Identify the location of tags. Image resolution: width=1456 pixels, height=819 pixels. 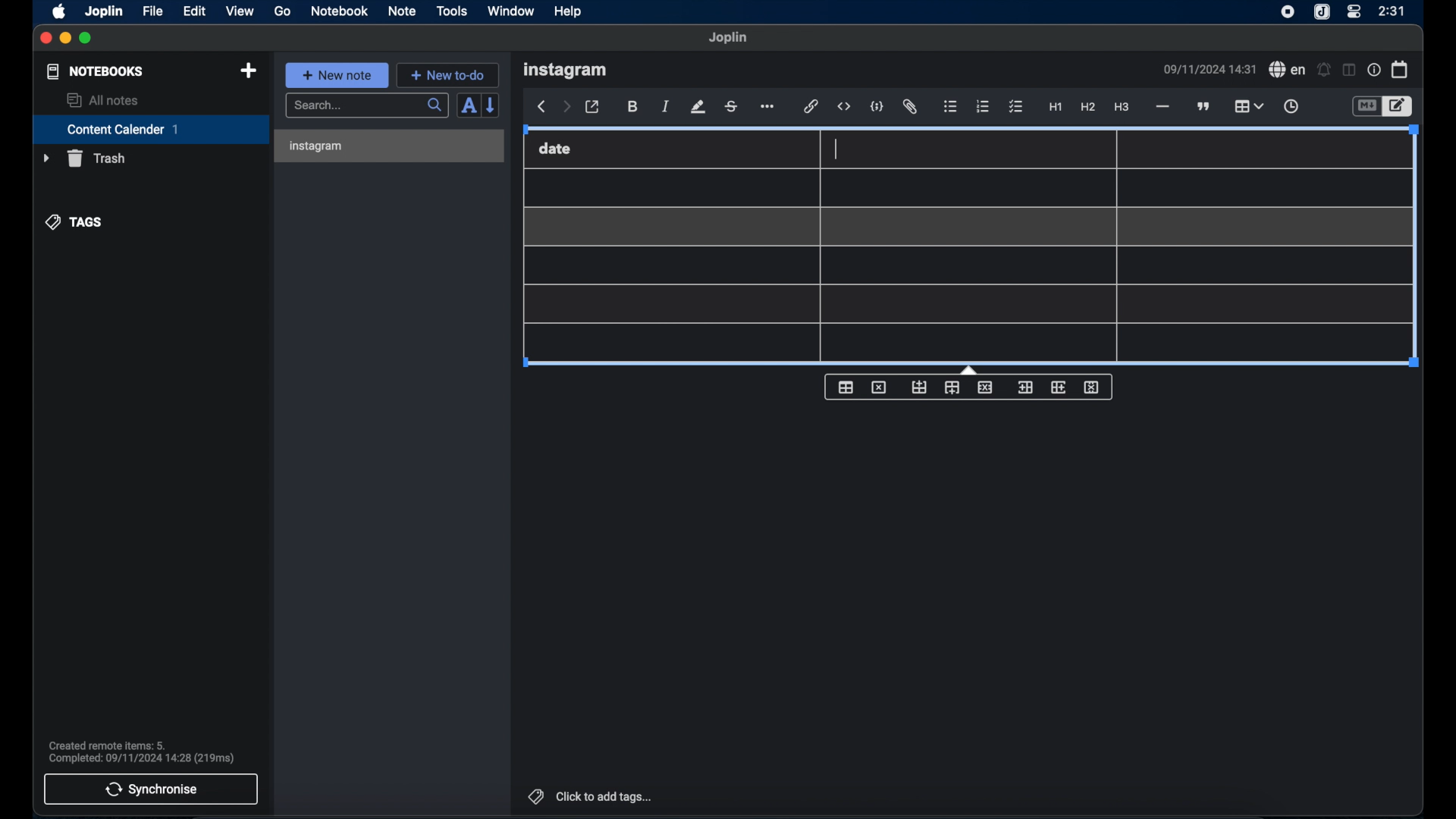
(74, 222).